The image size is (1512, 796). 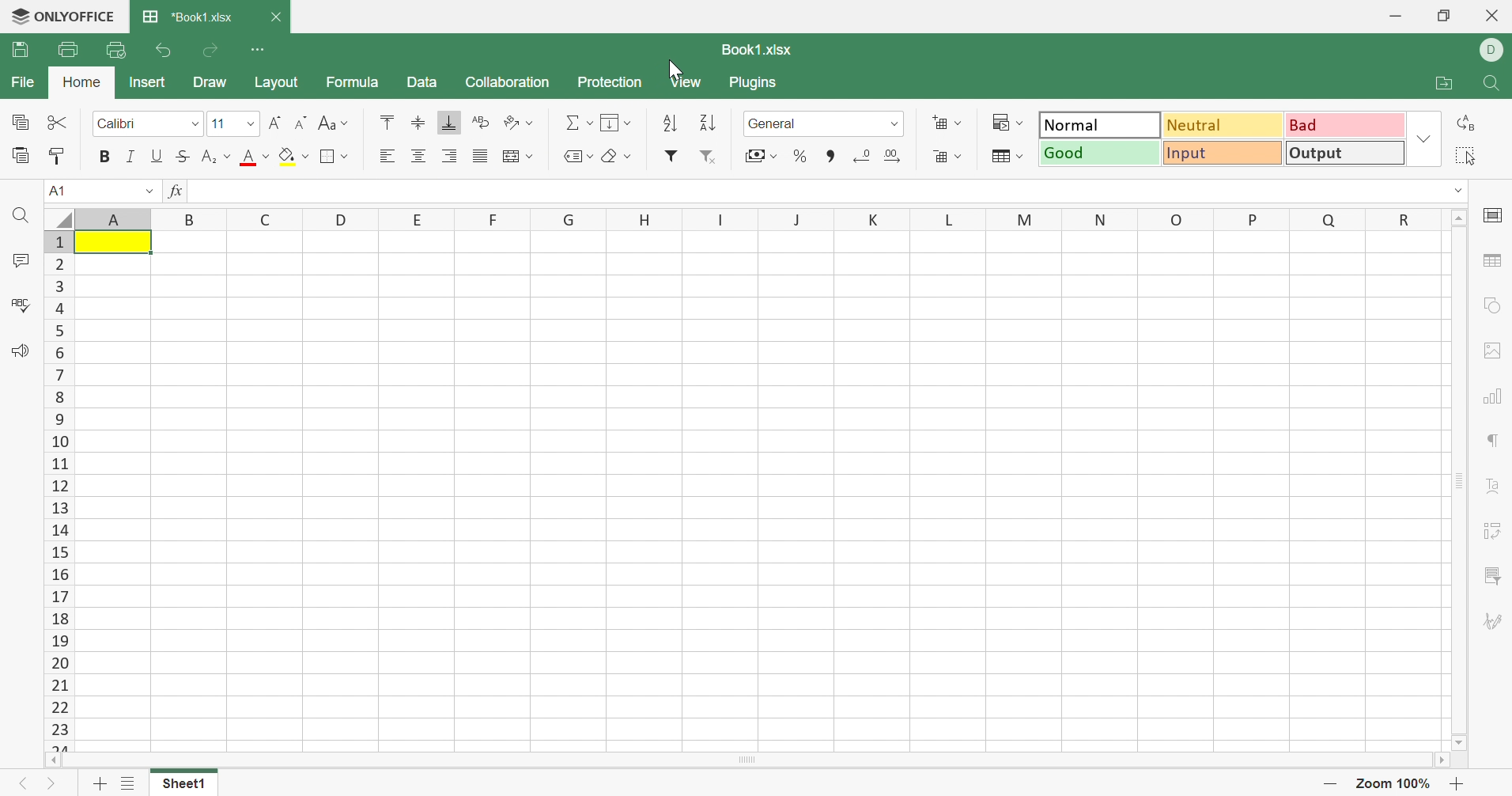 What do you see at coordinates (1099, 153) in the screenshot?
I see `Good` at bounding box center [1099, 153].